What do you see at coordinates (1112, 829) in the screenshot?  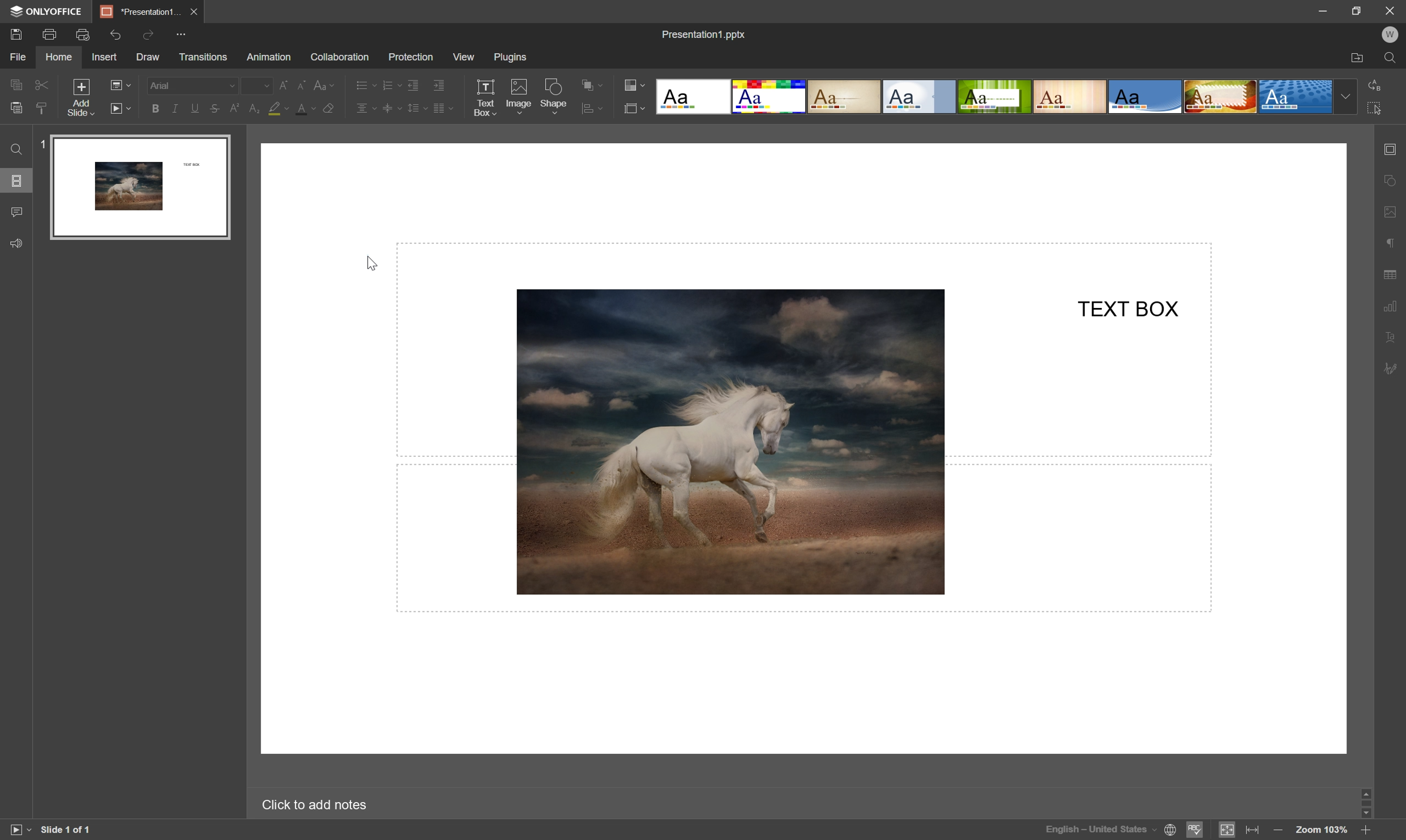 I see `set document language` at bounding box center [1112, 829].